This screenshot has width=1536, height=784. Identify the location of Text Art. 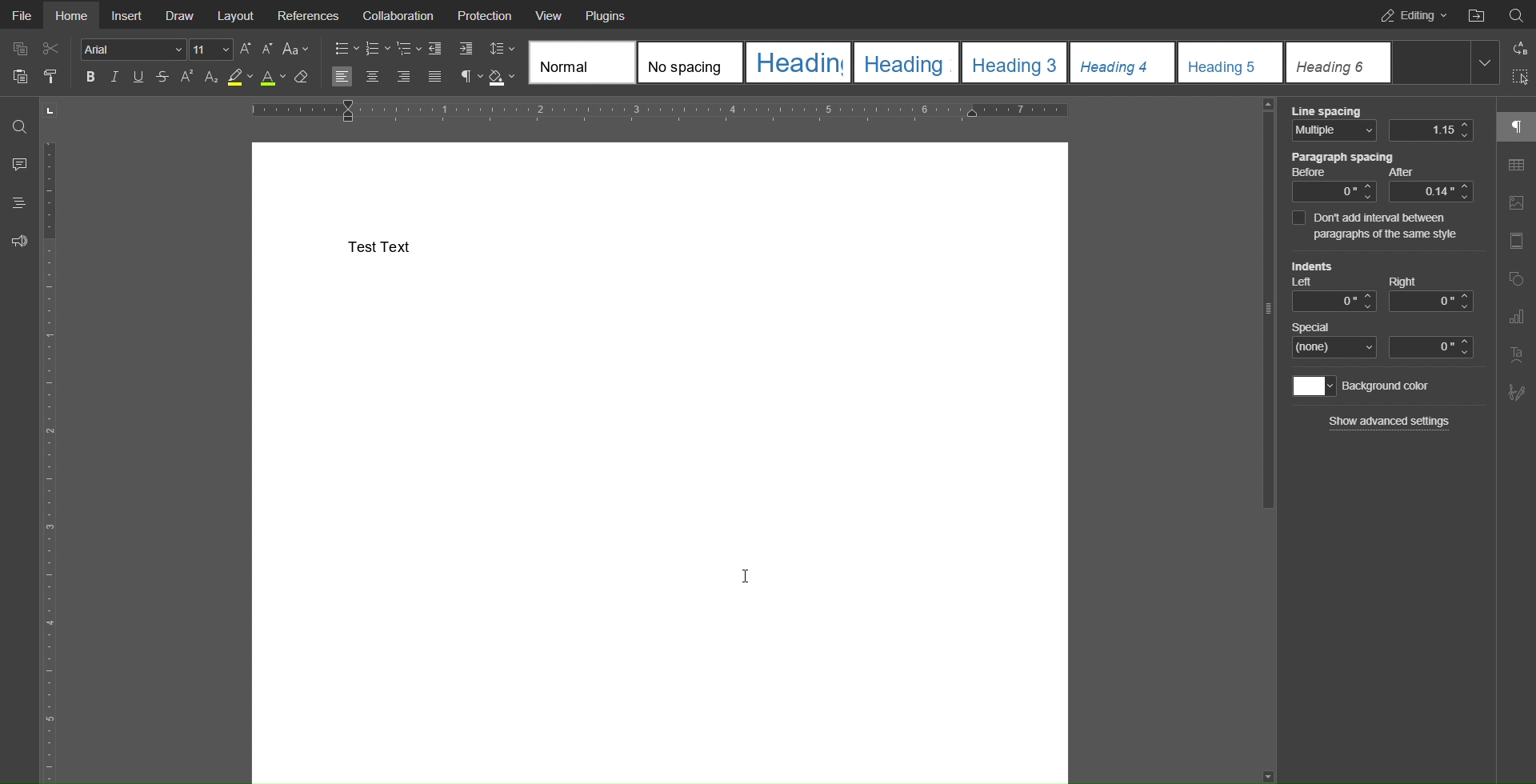
(1517, 355).